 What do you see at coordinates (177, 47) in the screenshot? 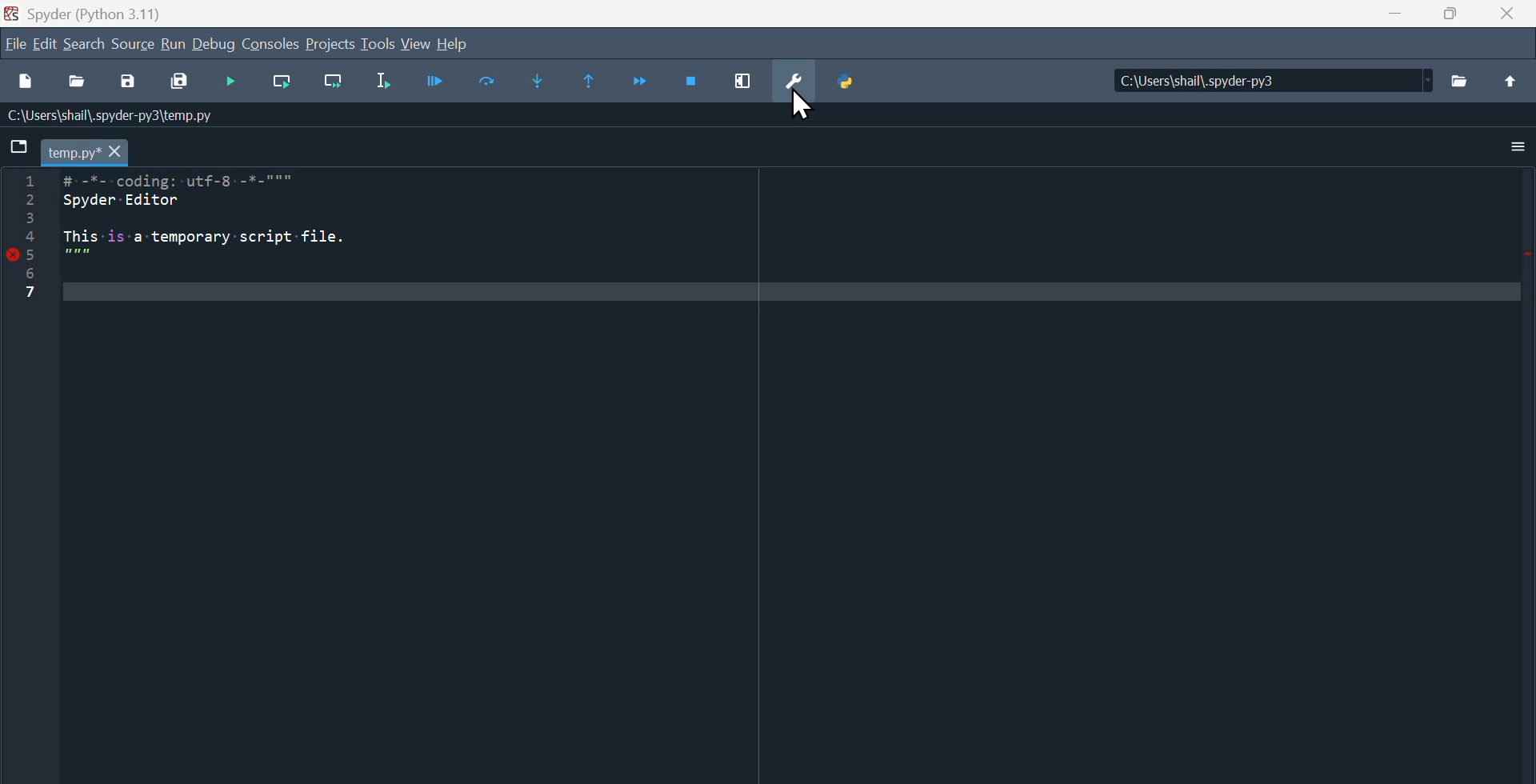
I see `Run` at bounding box center [177, 47].